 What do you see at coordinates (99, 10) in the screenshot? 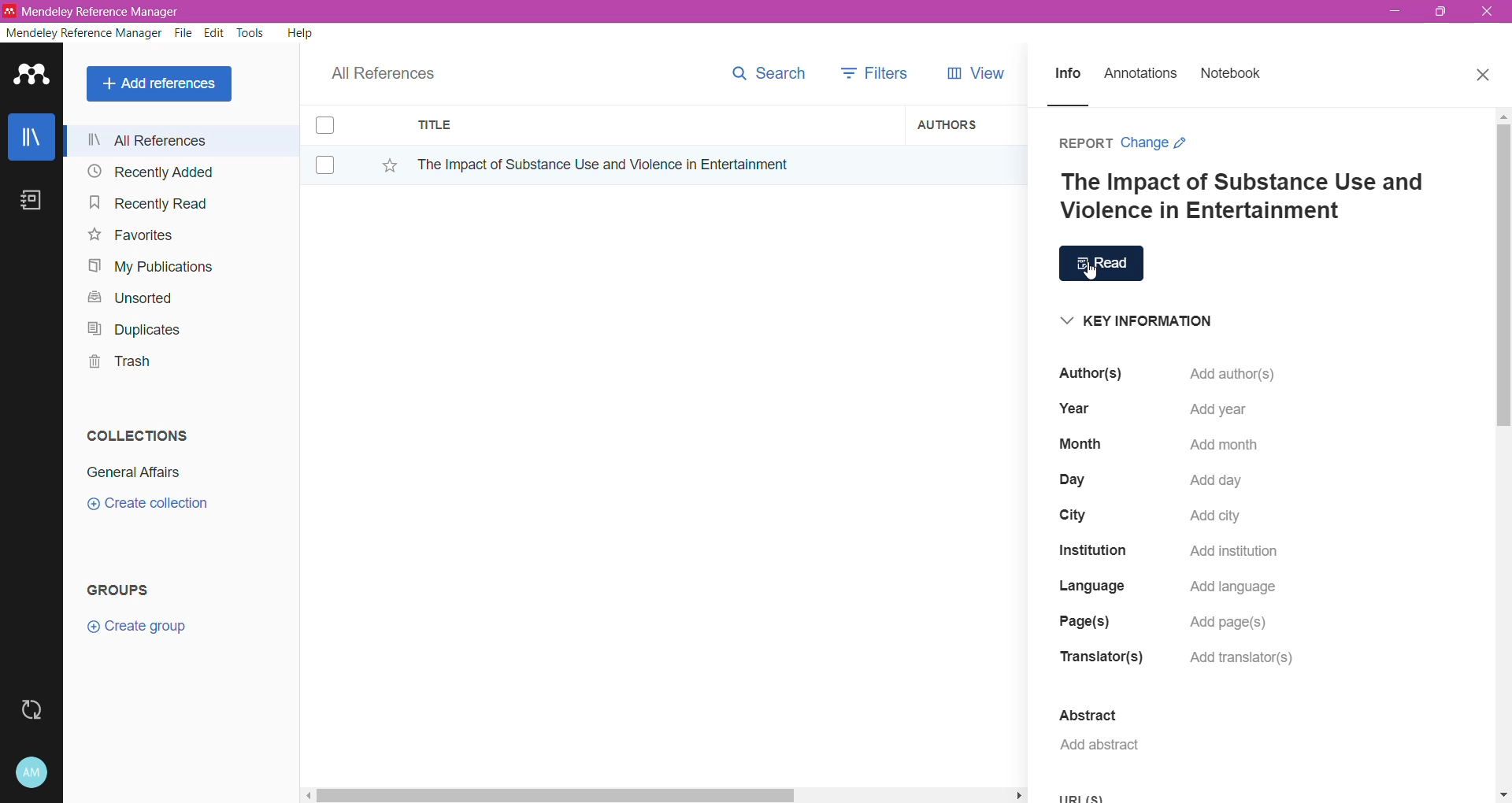
I see `Application Name` at bounding box center [99, 10].